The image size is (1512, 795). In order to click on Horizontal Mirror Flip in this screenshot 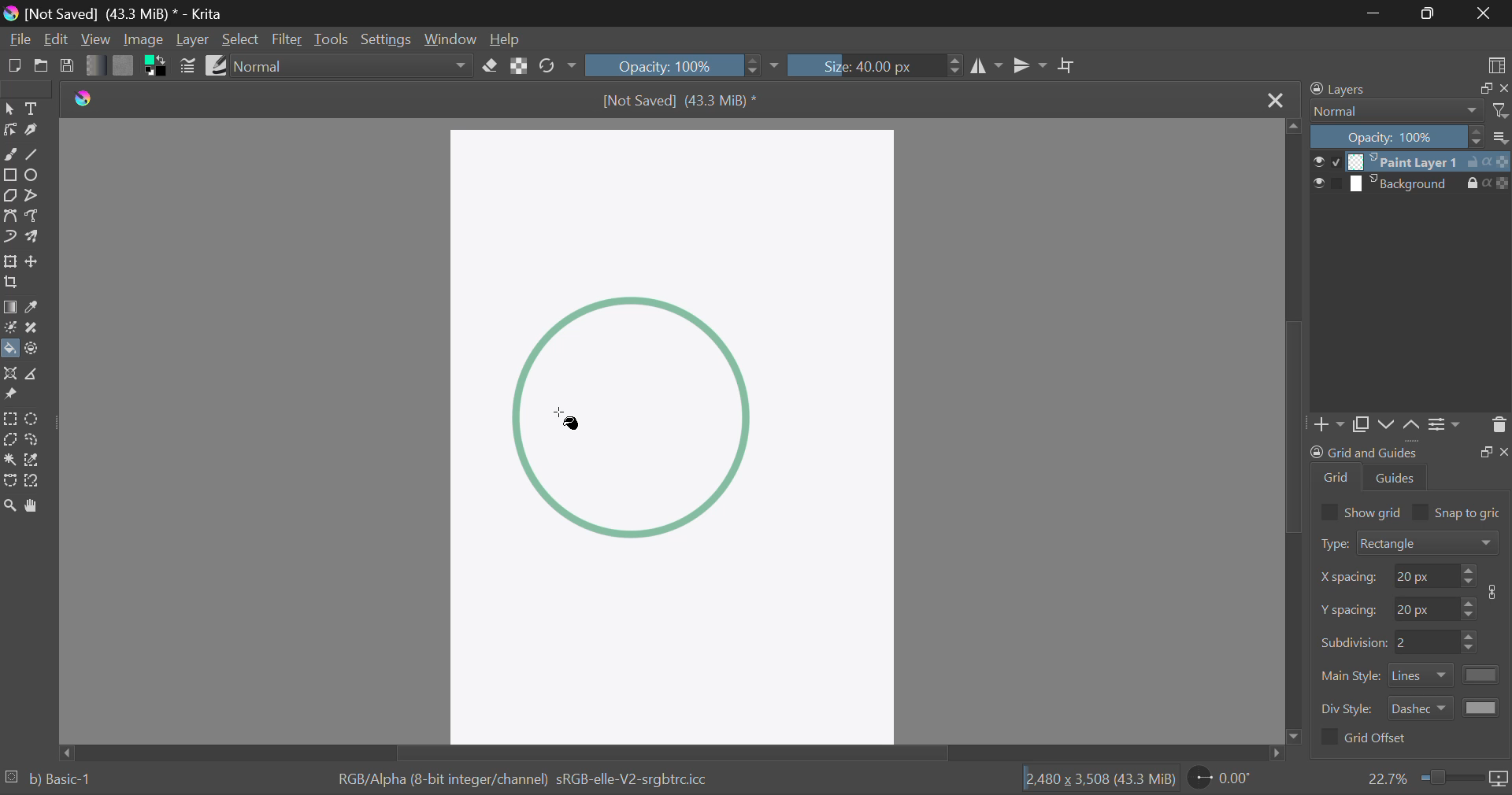, I will do `click(1031, 65)`.